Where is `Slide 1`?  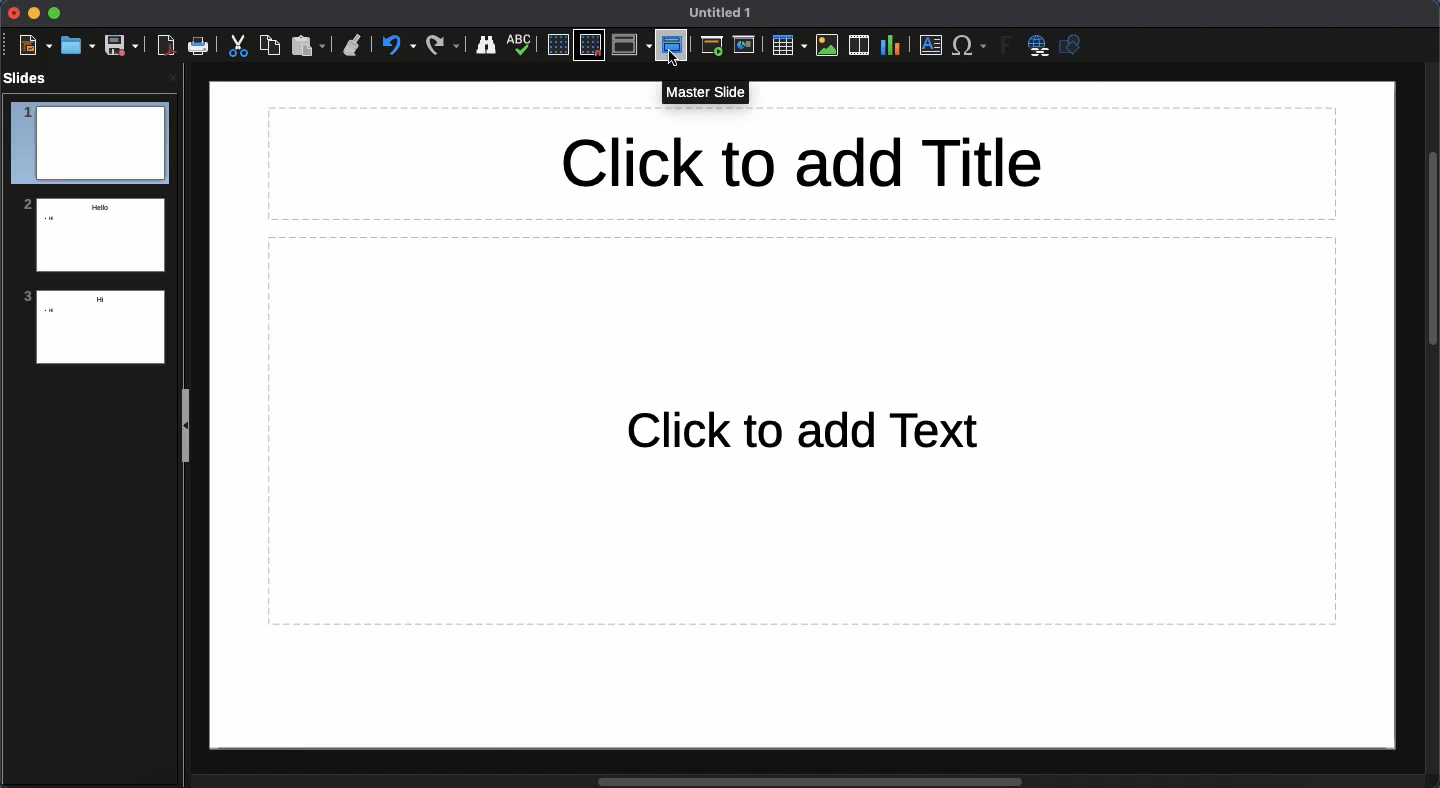 Slide 1 is located at coordinates (92, 143).